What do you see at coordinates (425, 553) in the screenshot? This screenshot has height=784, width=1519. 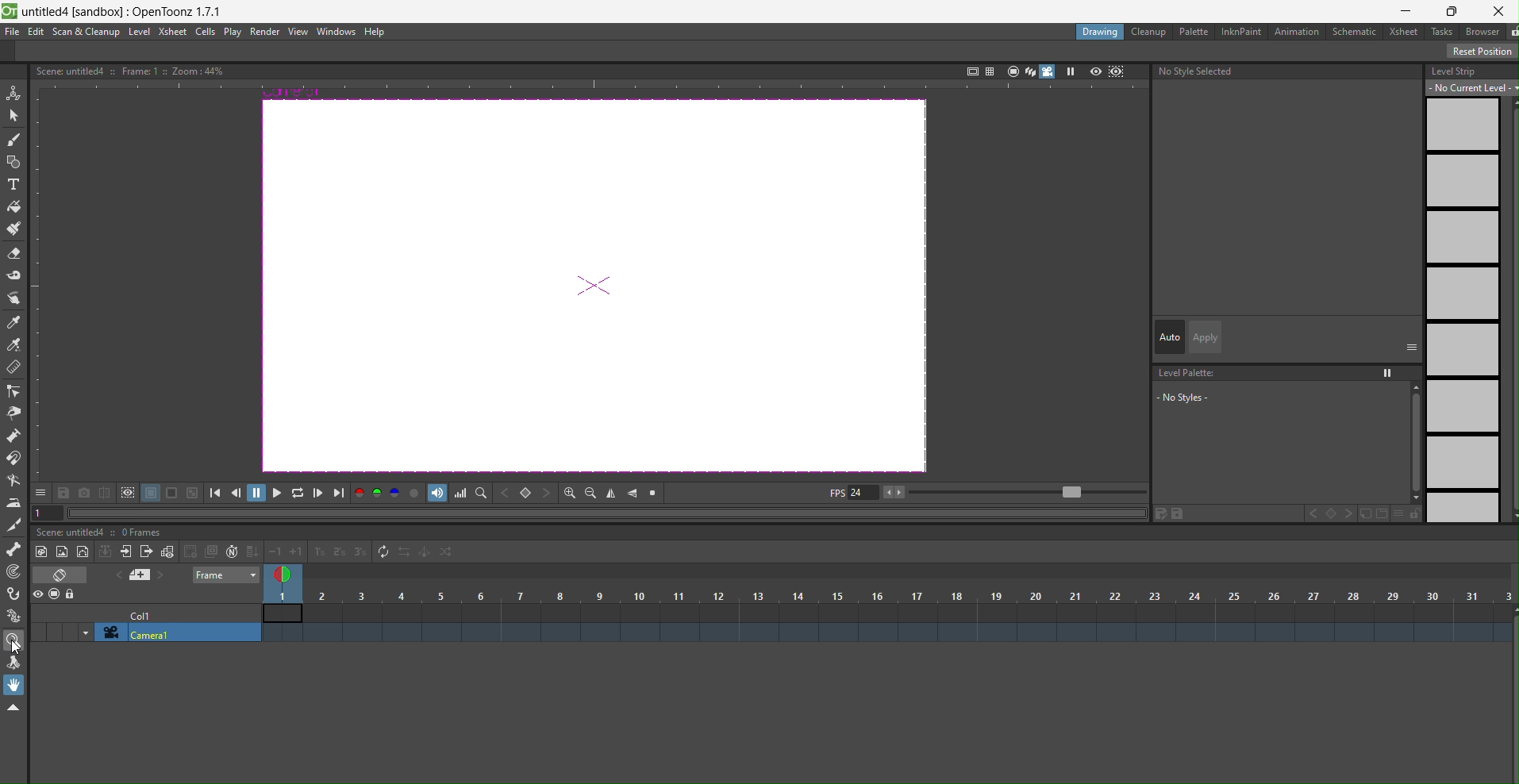 I see `` at bounding box center [425, 553].